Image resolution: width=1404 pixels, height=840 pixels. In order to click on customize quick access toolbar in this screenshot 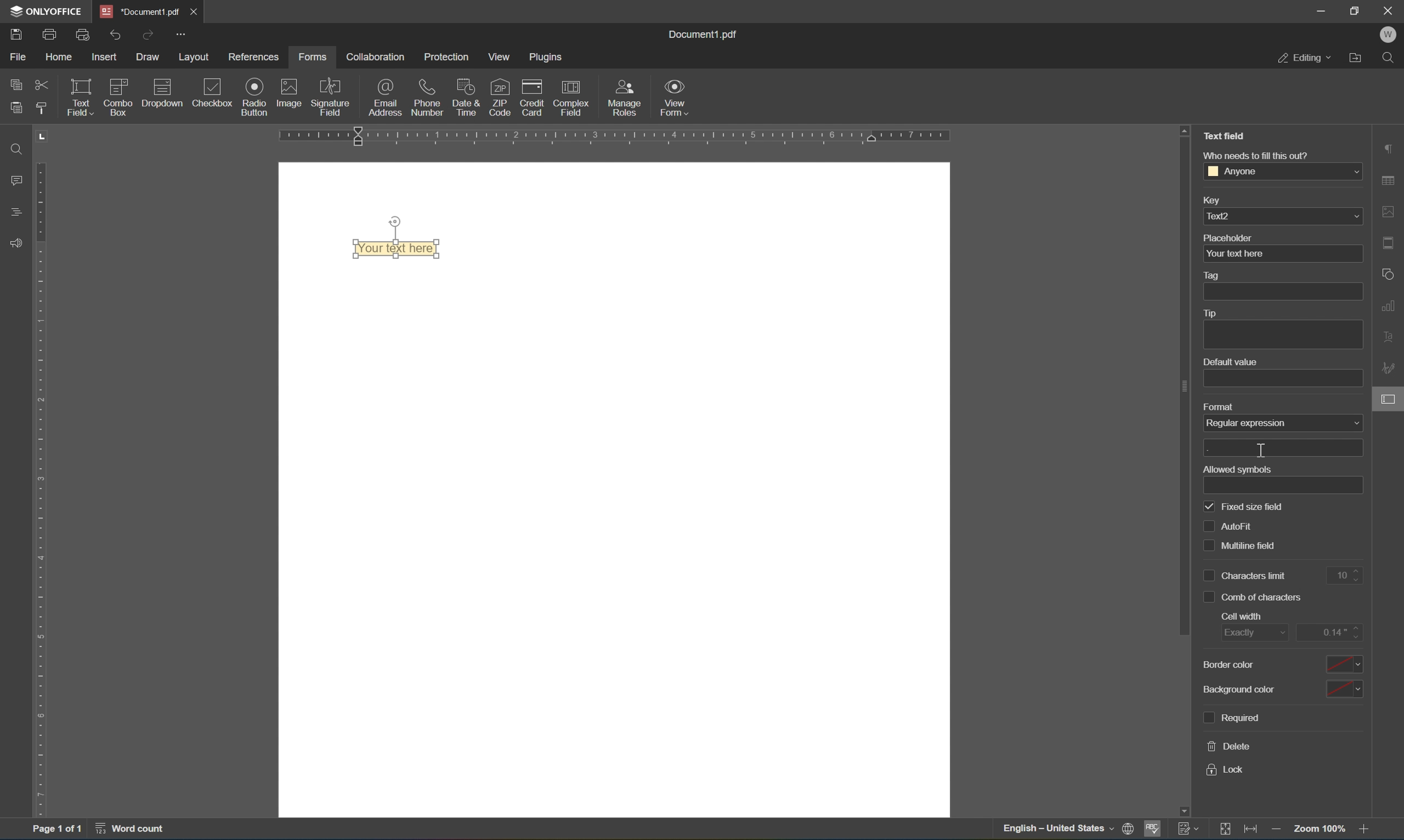, I will do `click(182, 31)`.